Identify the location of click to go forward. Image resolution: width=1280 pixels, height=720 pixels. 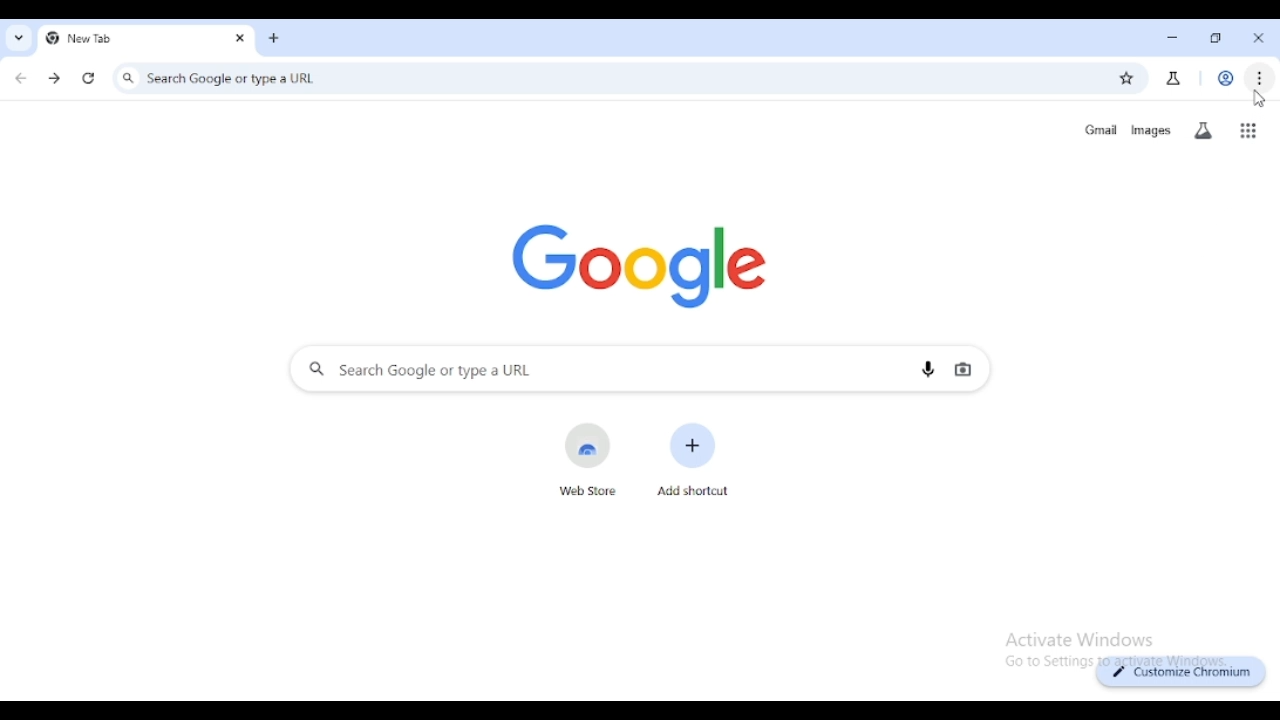
(54, 78).